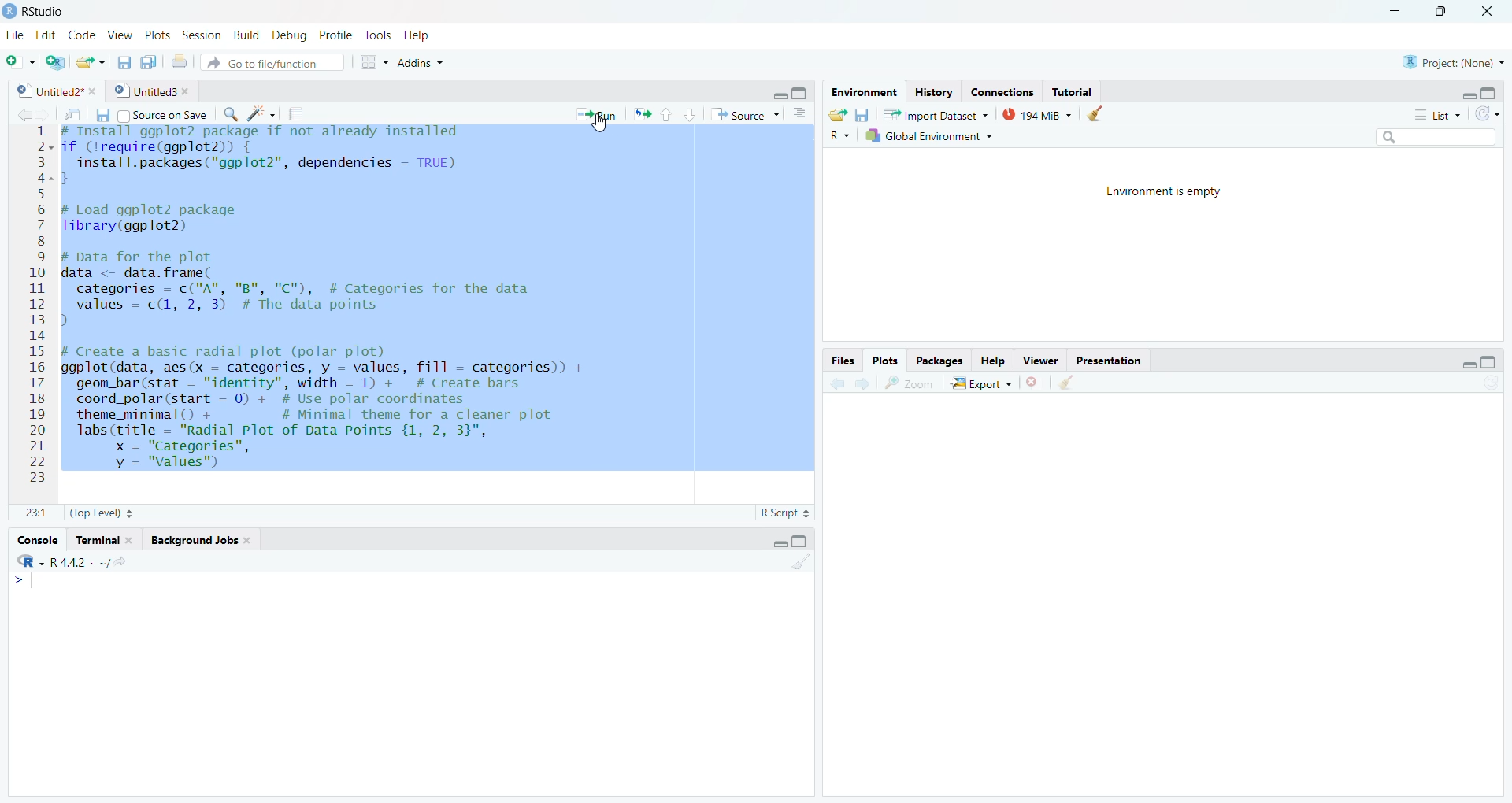 Image resolution: width=1512 pixels, height=803 pixels. I want to click on Refresh theme, so click(1490, 113).